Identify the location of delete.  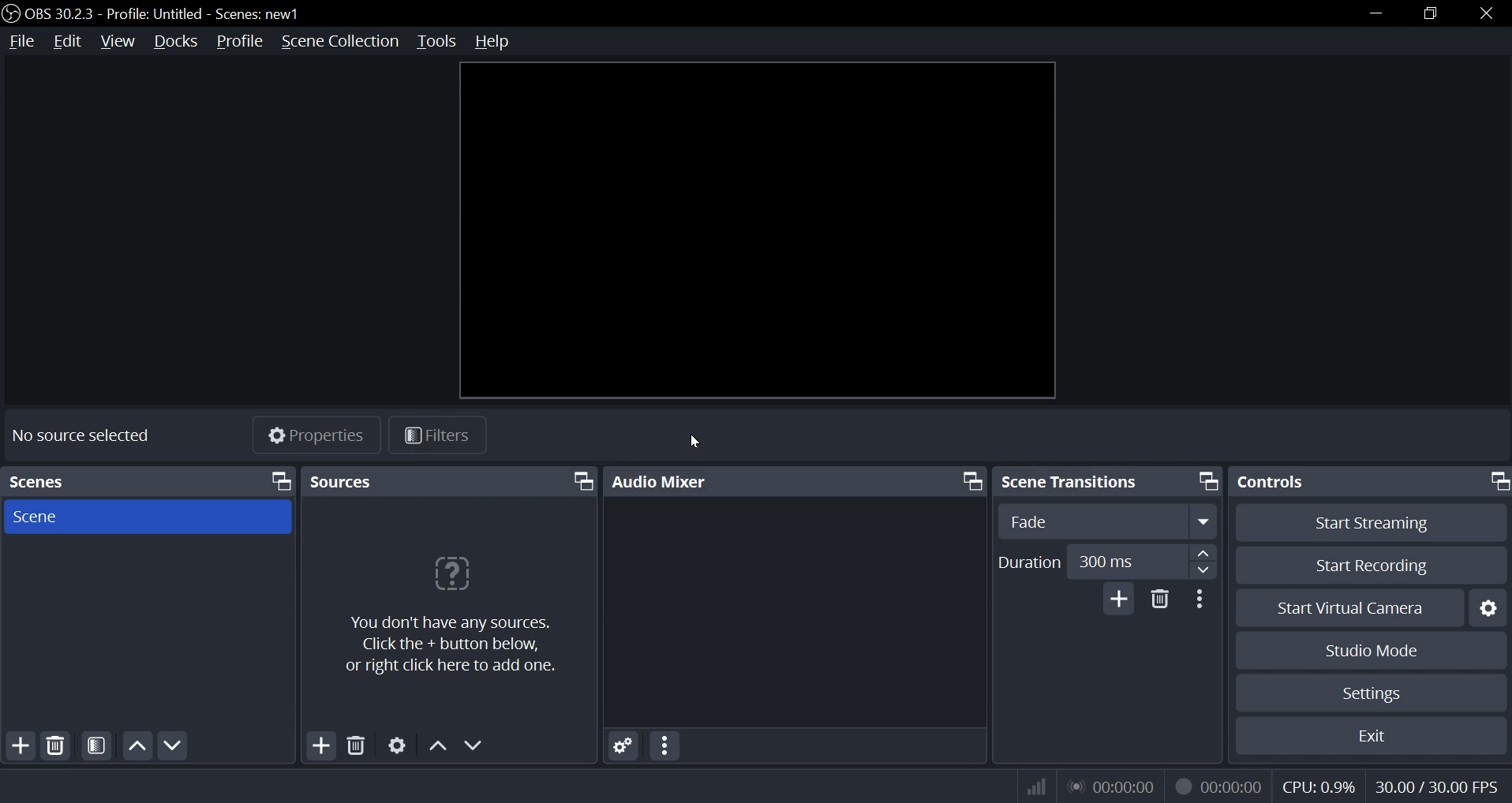
(1160, 602).